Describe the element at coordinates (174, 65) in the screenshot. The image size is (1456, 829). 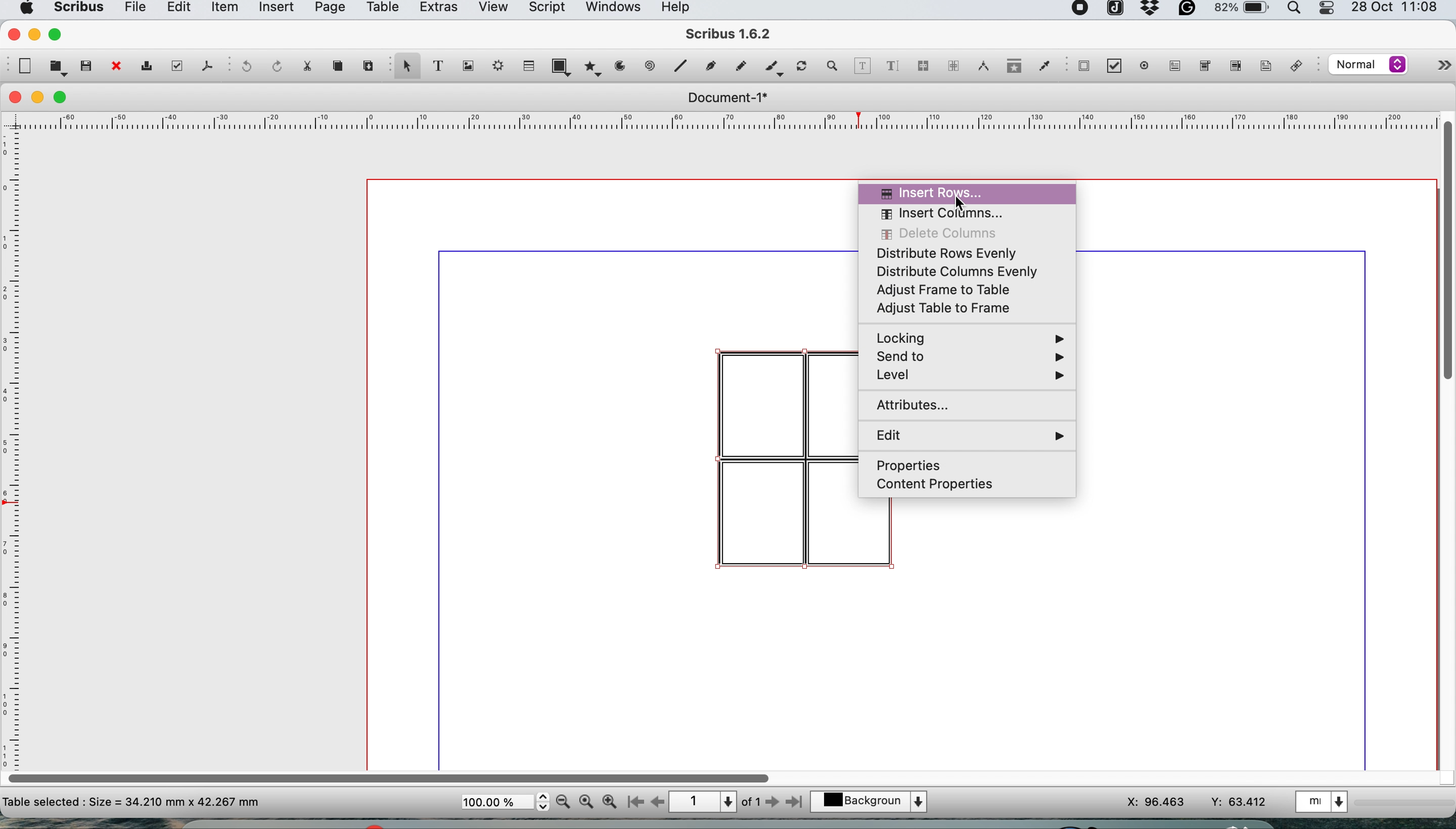
I see `preflight verifier` at that location.